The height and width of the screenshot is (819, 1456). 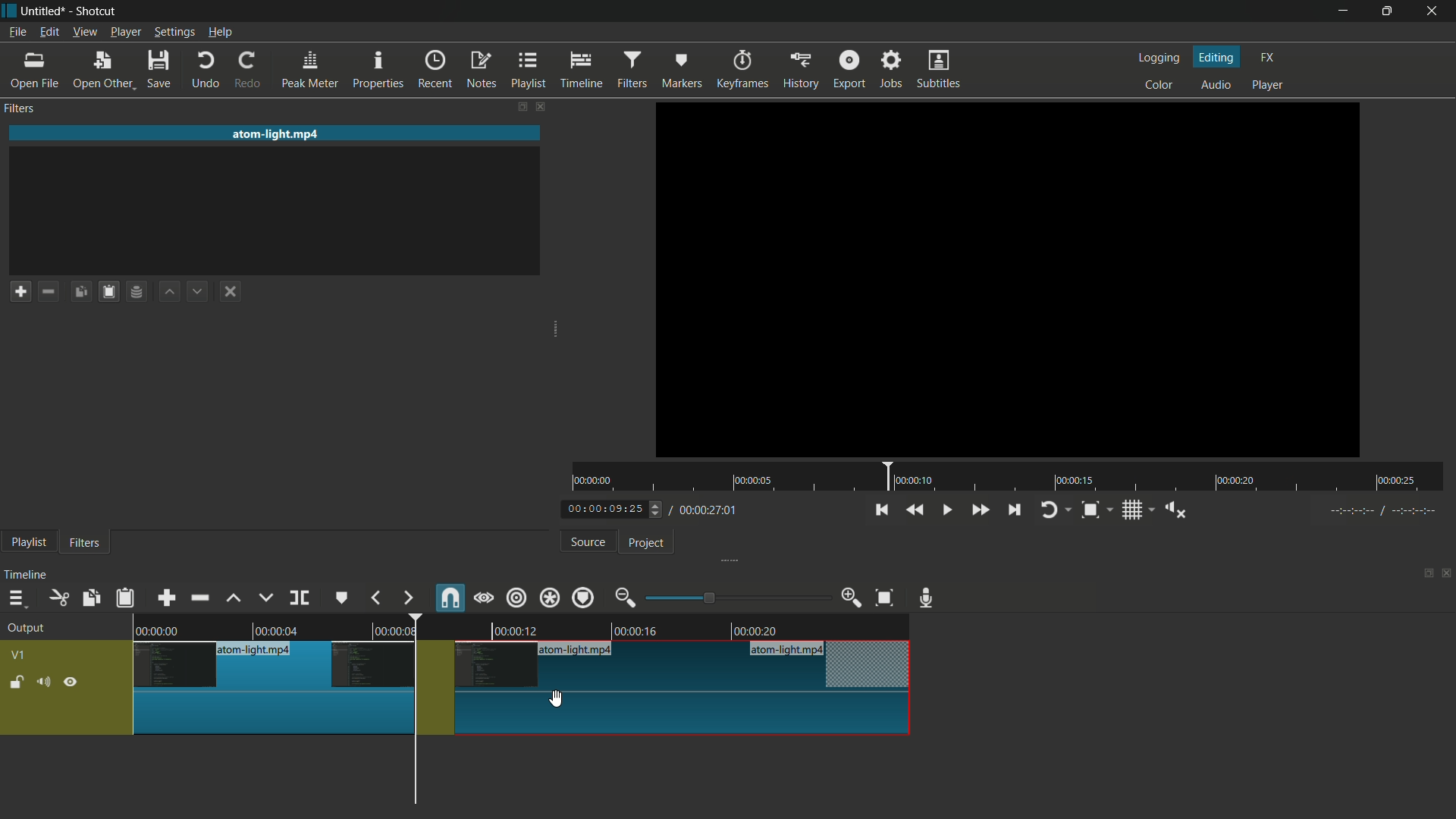 I want to click on toggle grid, so click(x=1137, y=510).